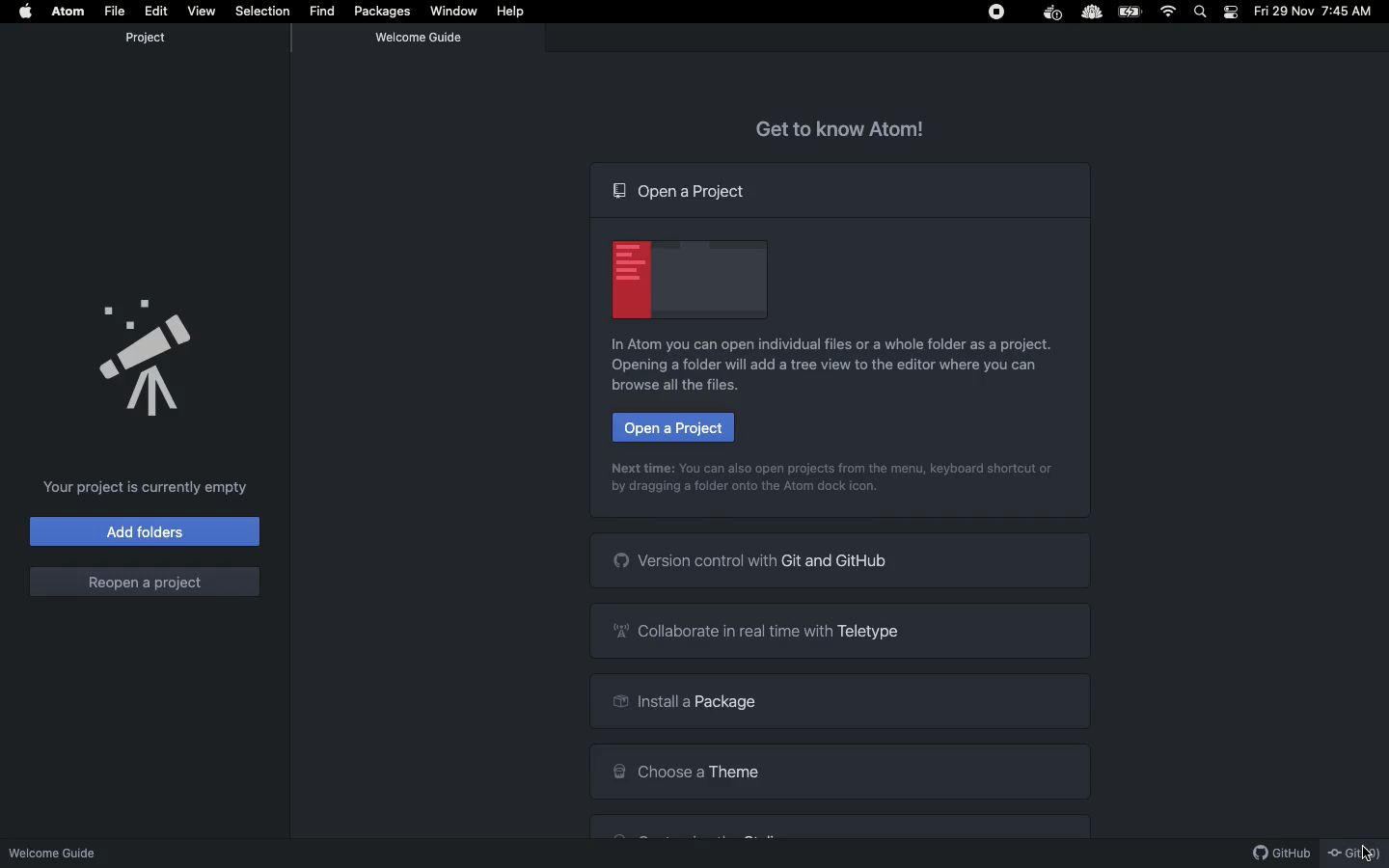 The width and height of the screenshot is (1389, 868). I want to click on Choose a theme, so click(846, 773).